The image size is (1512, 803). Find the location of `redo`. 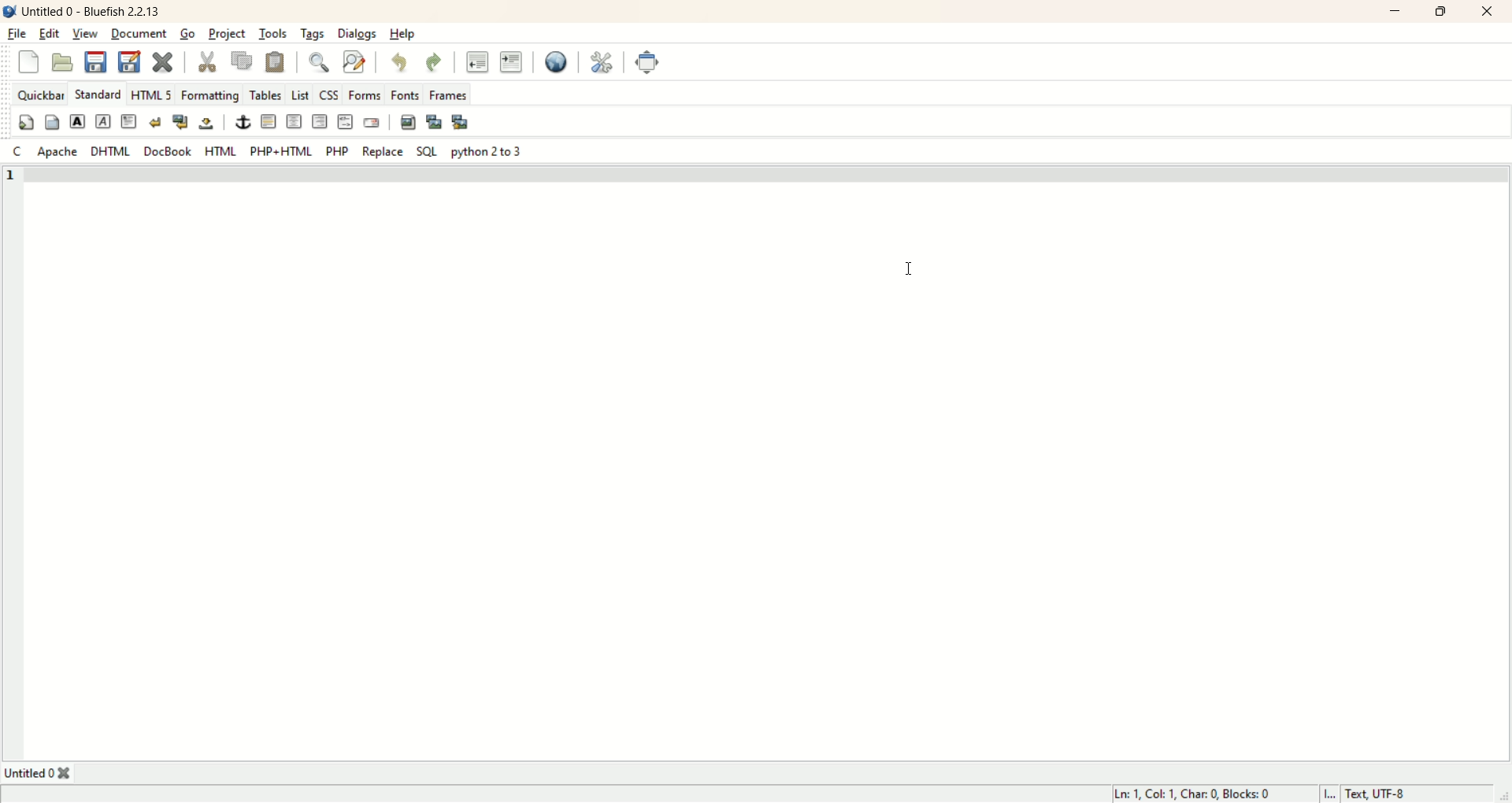

redo is located at coordinates (433, 62).